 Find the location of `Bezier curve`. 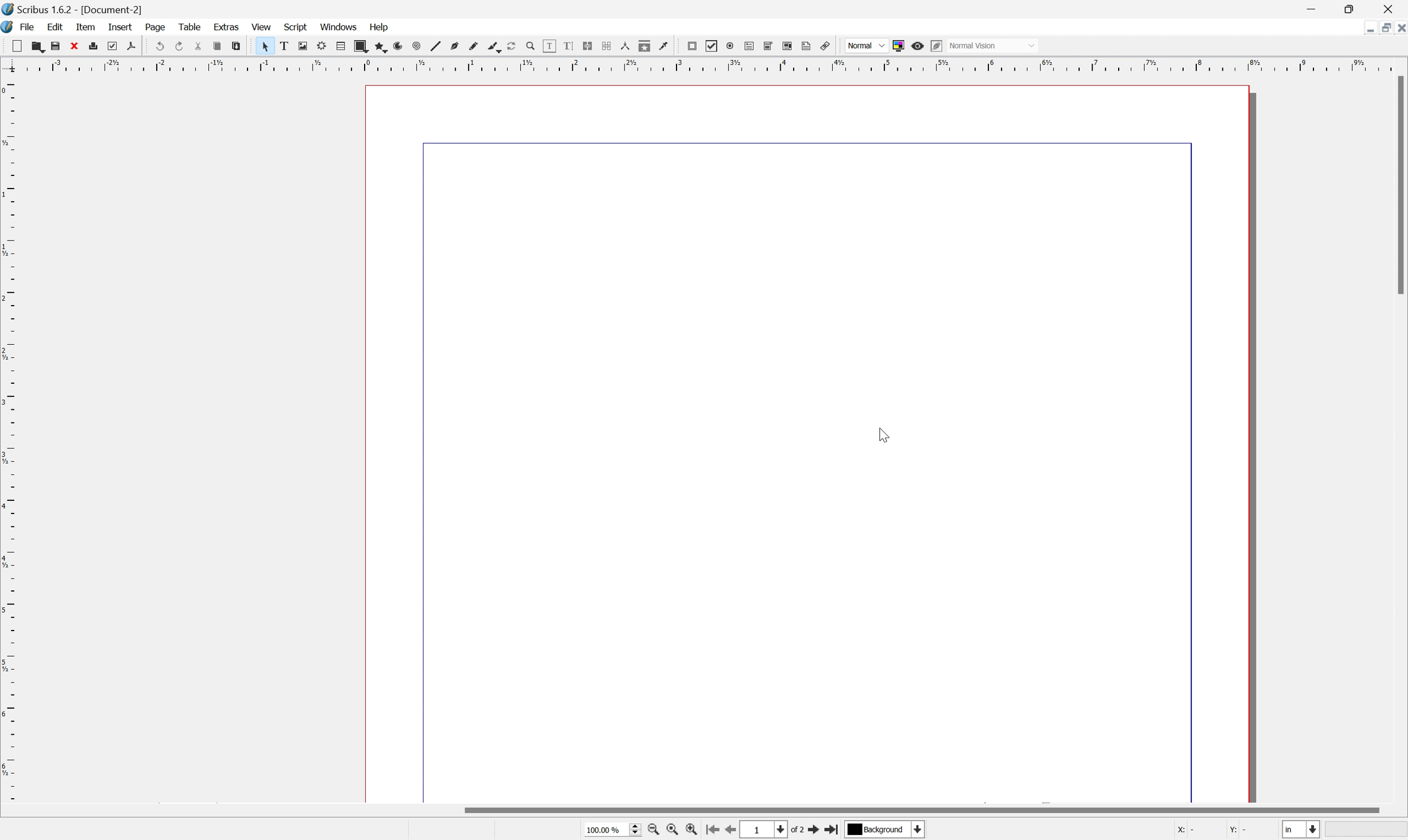

Bezier curve is located at coordinates (453, 46).